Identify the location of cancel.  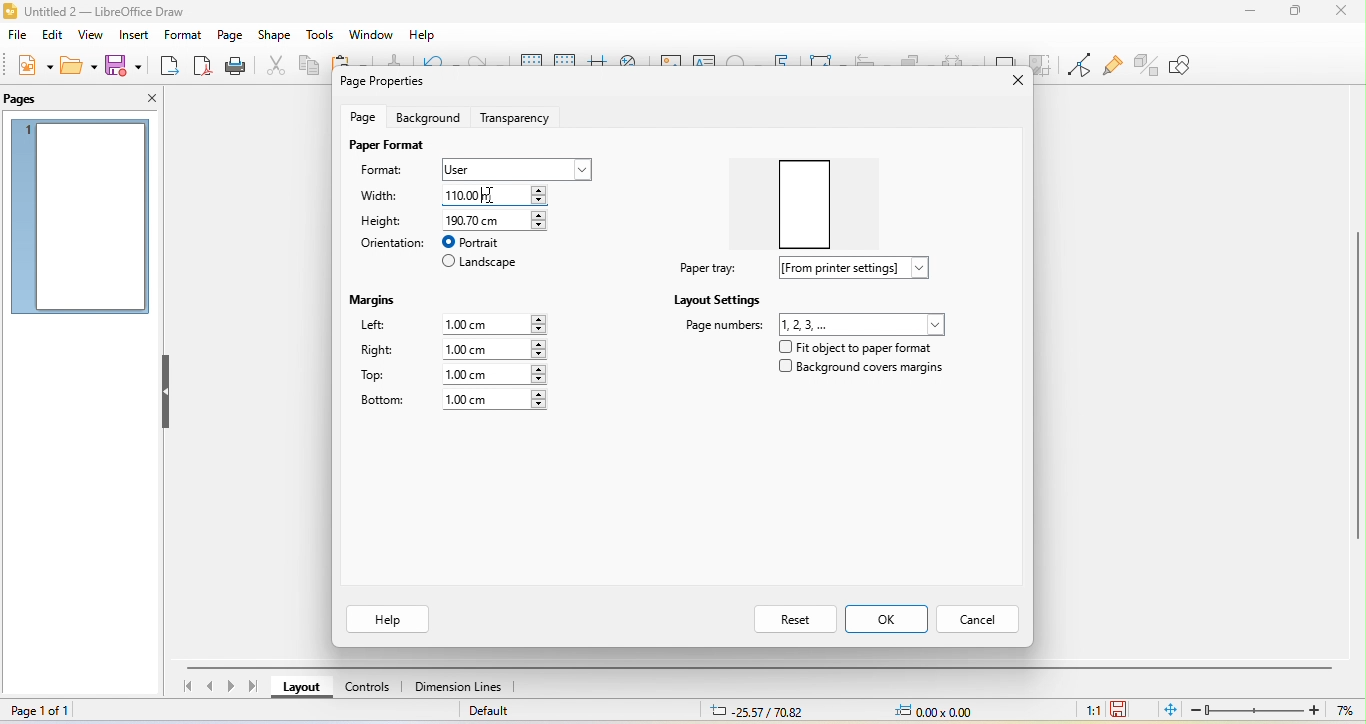
(981, 617).